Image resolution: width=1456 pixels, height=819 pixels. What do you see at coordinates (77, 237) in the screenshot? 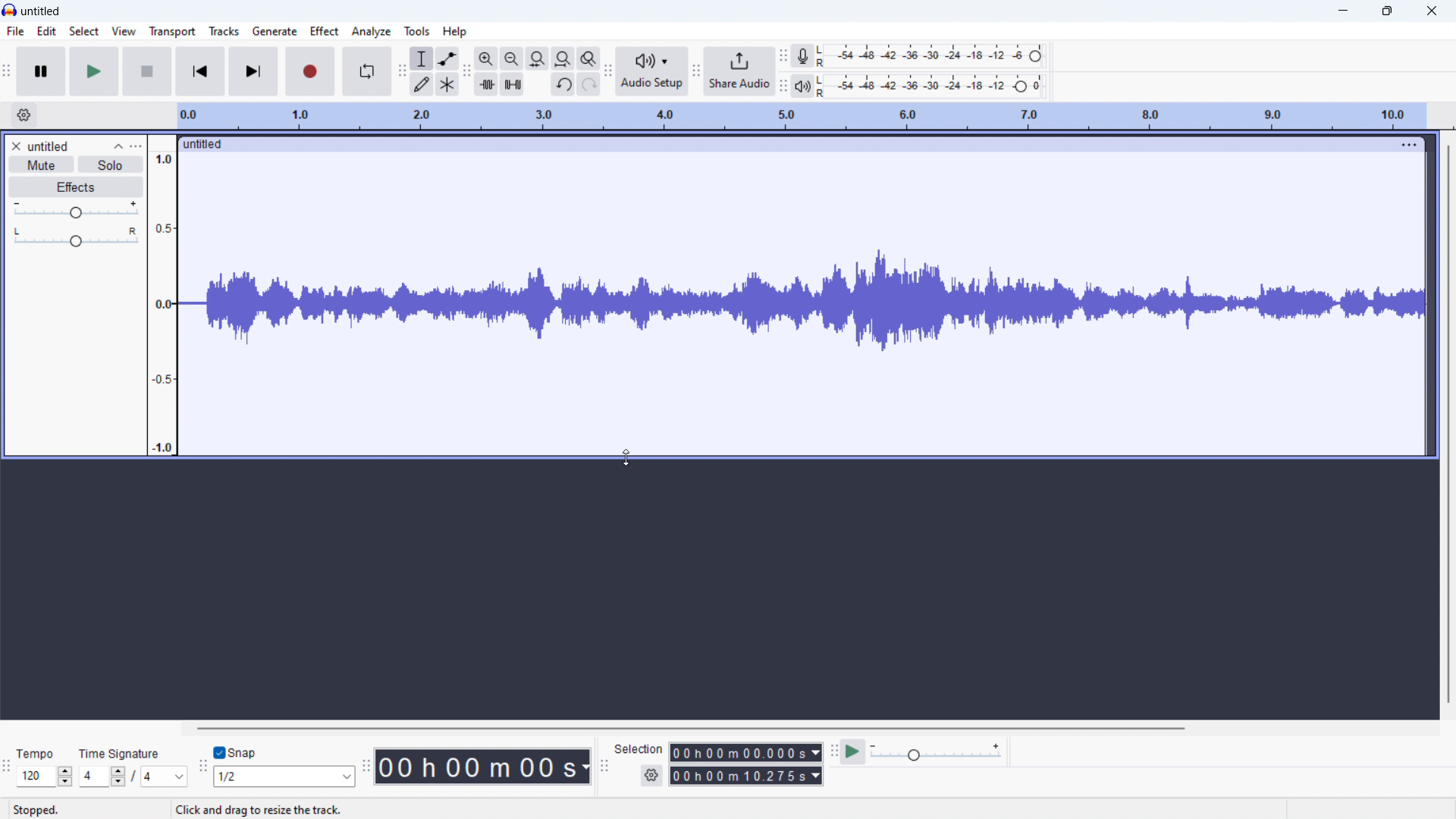
I see `pan` at bounding box center [77, 237].